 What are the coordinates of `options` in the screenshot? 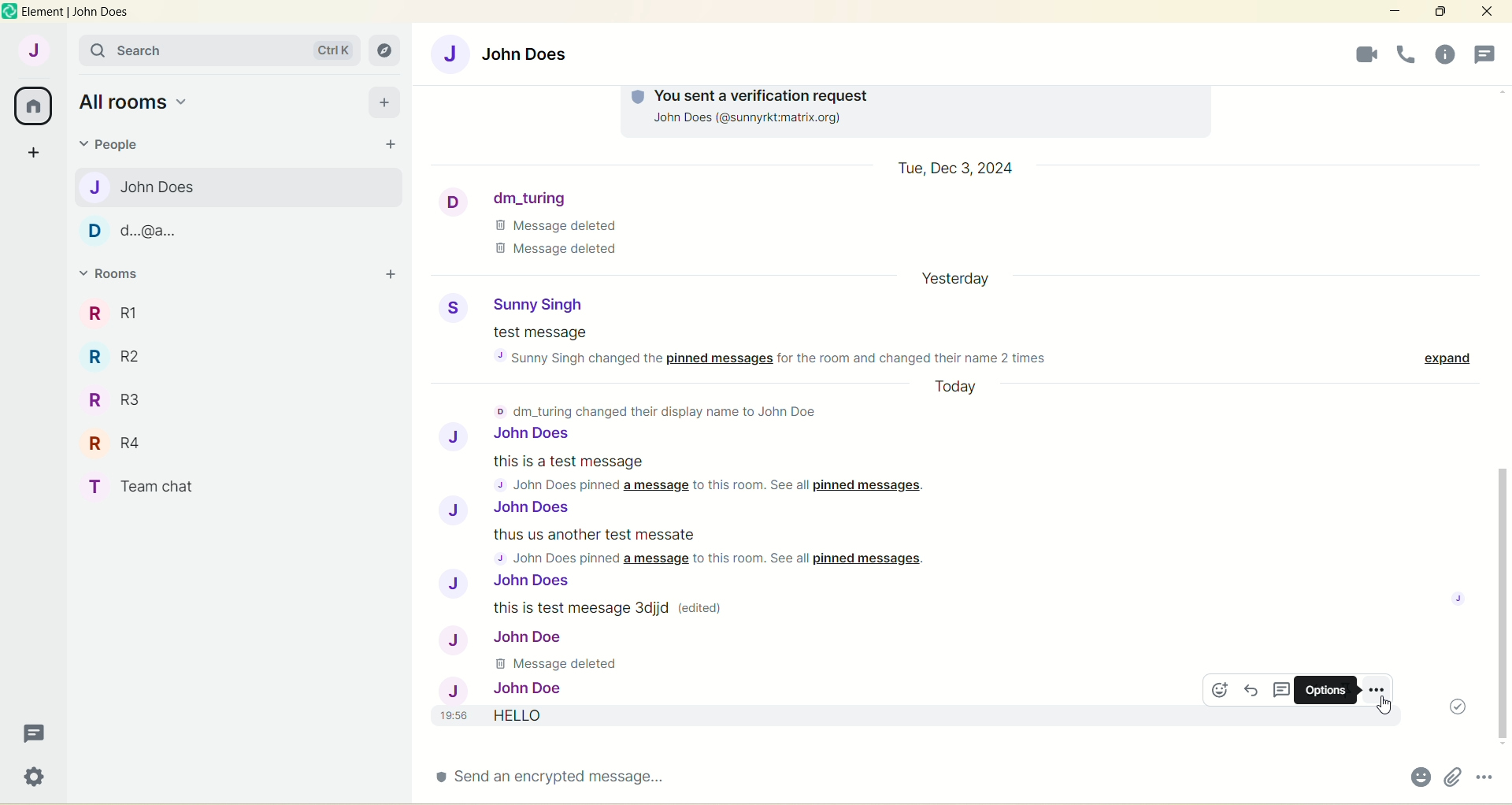 It's located at (1322, 690).